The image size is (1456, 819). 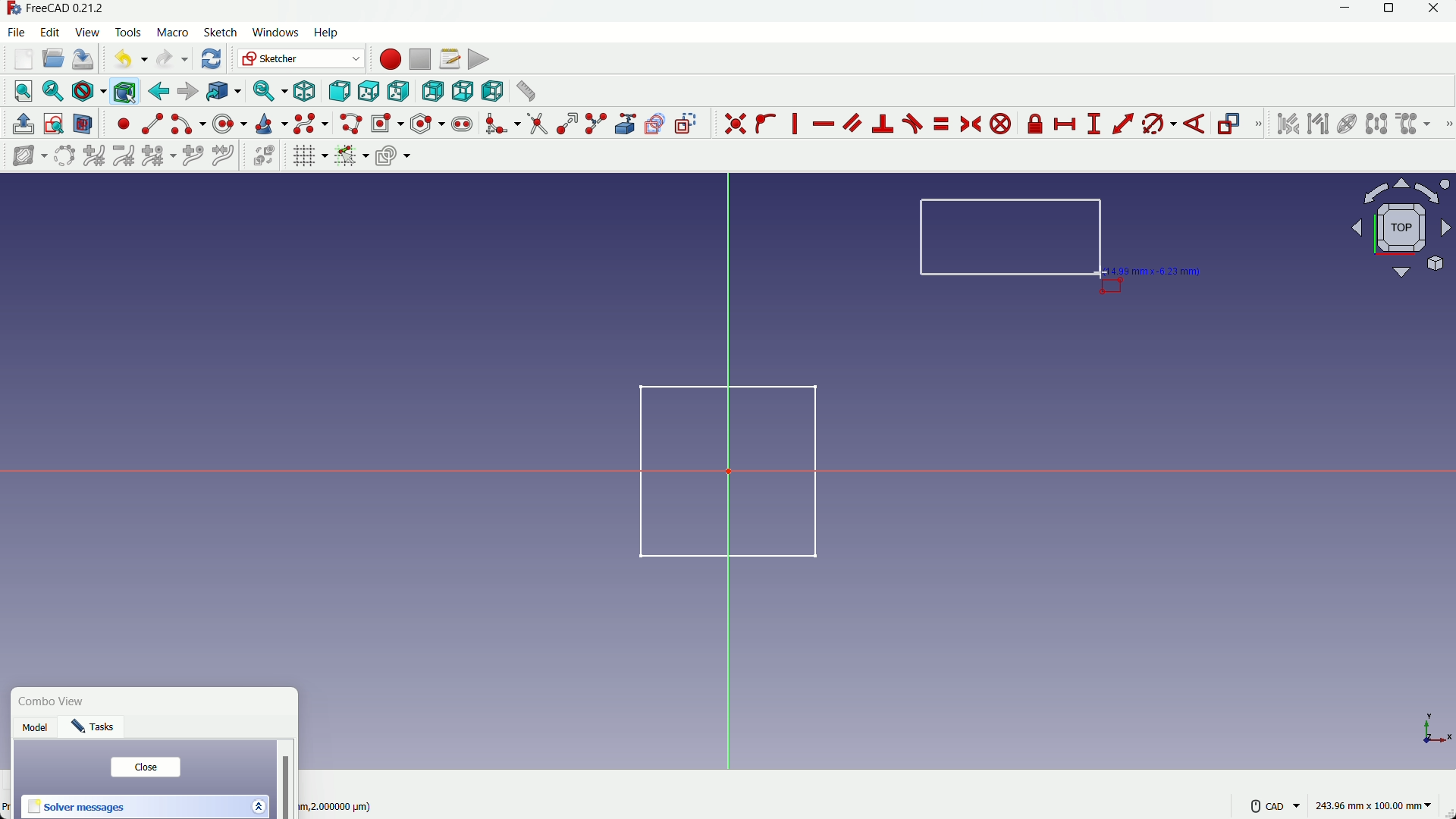 I want to click on making rectangle, so click(x=1012, y=239).